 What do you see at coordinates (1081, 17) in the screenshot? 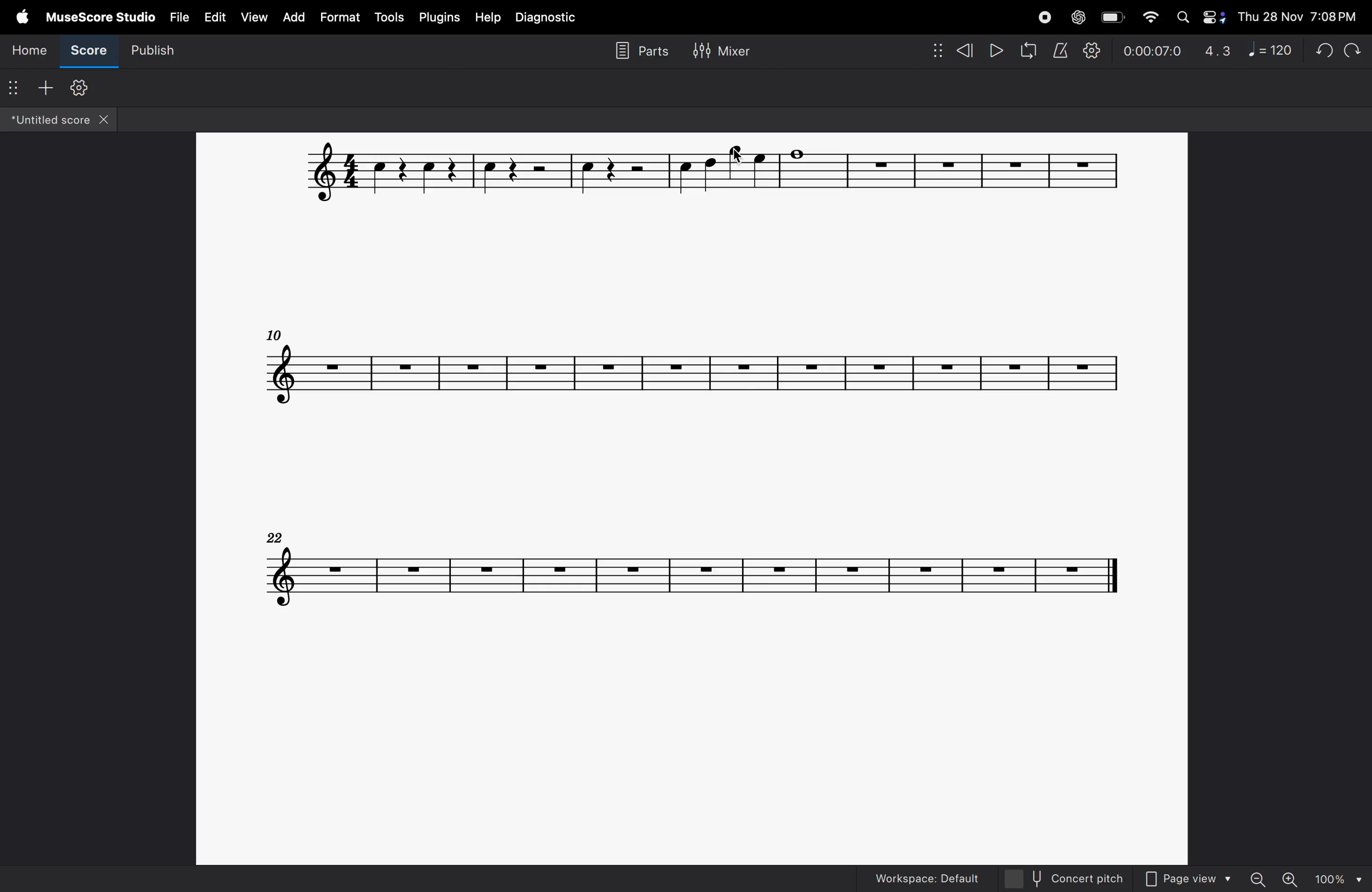
I see `chatgpt` at bounding box center [1081, 17].